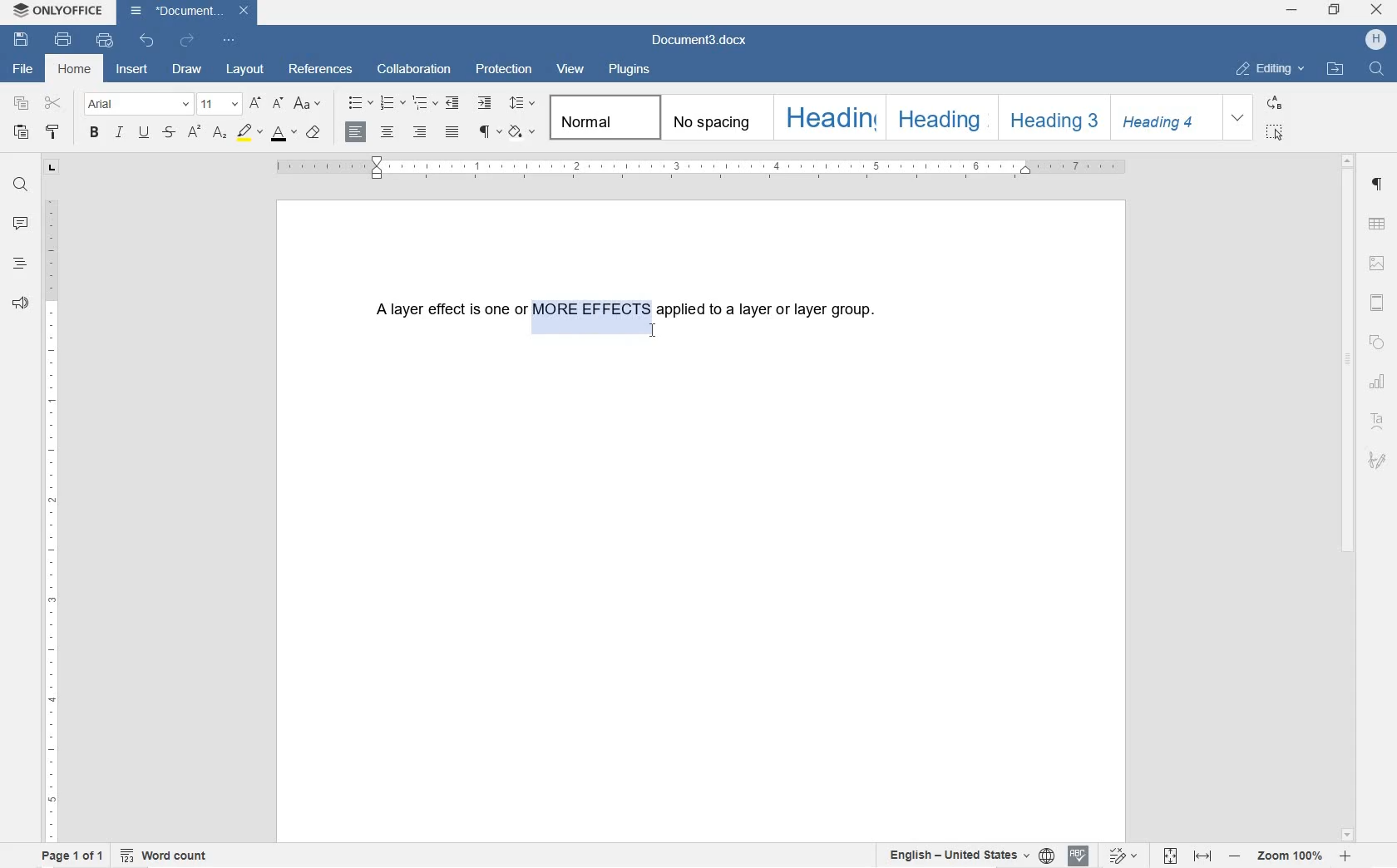  What do you see at coordinates (62, 40) in the screenshot?
I see `PRINT` at bounding box center [62, 40].